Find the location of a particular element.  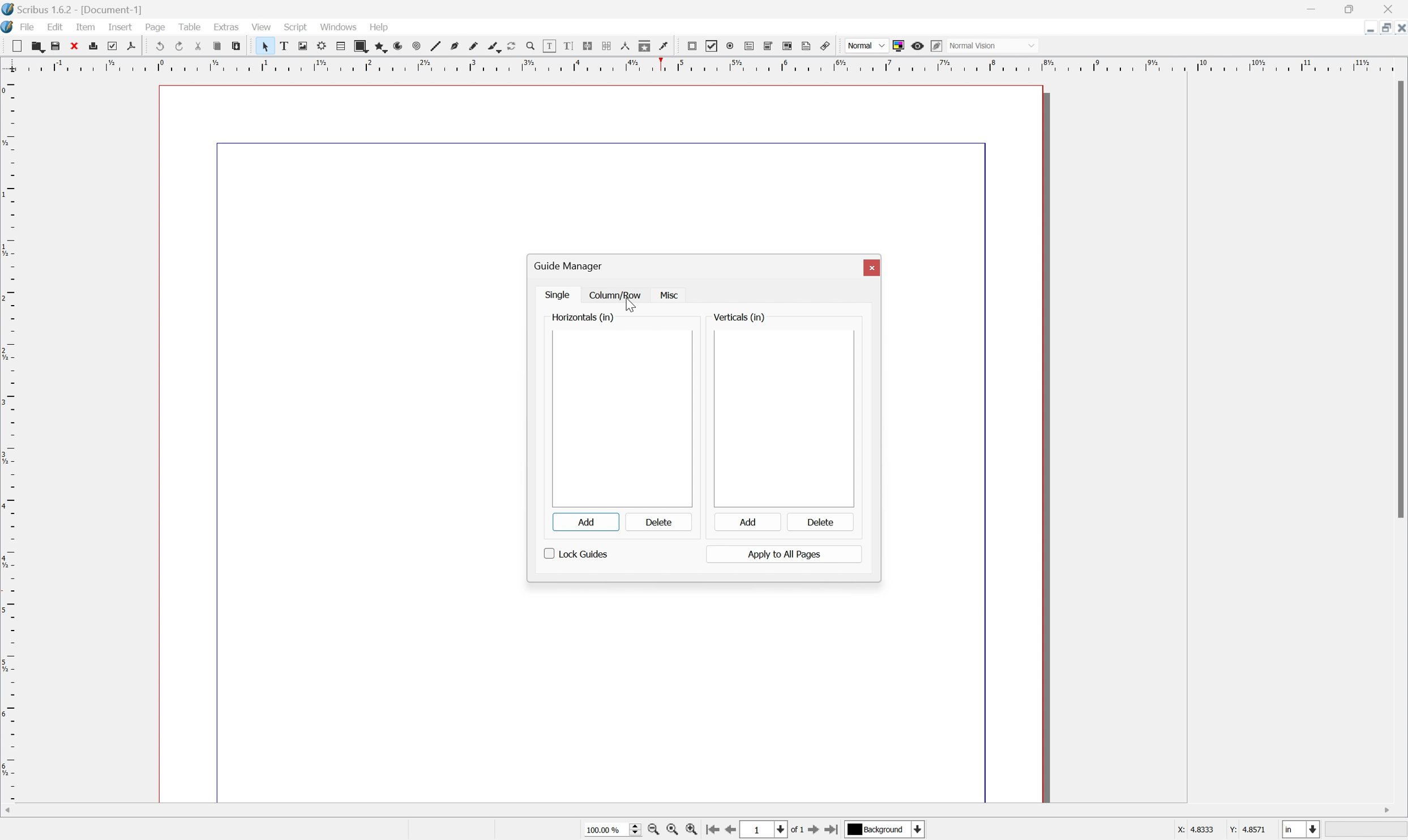

apply to all pages is located at coordinates (786, 554).